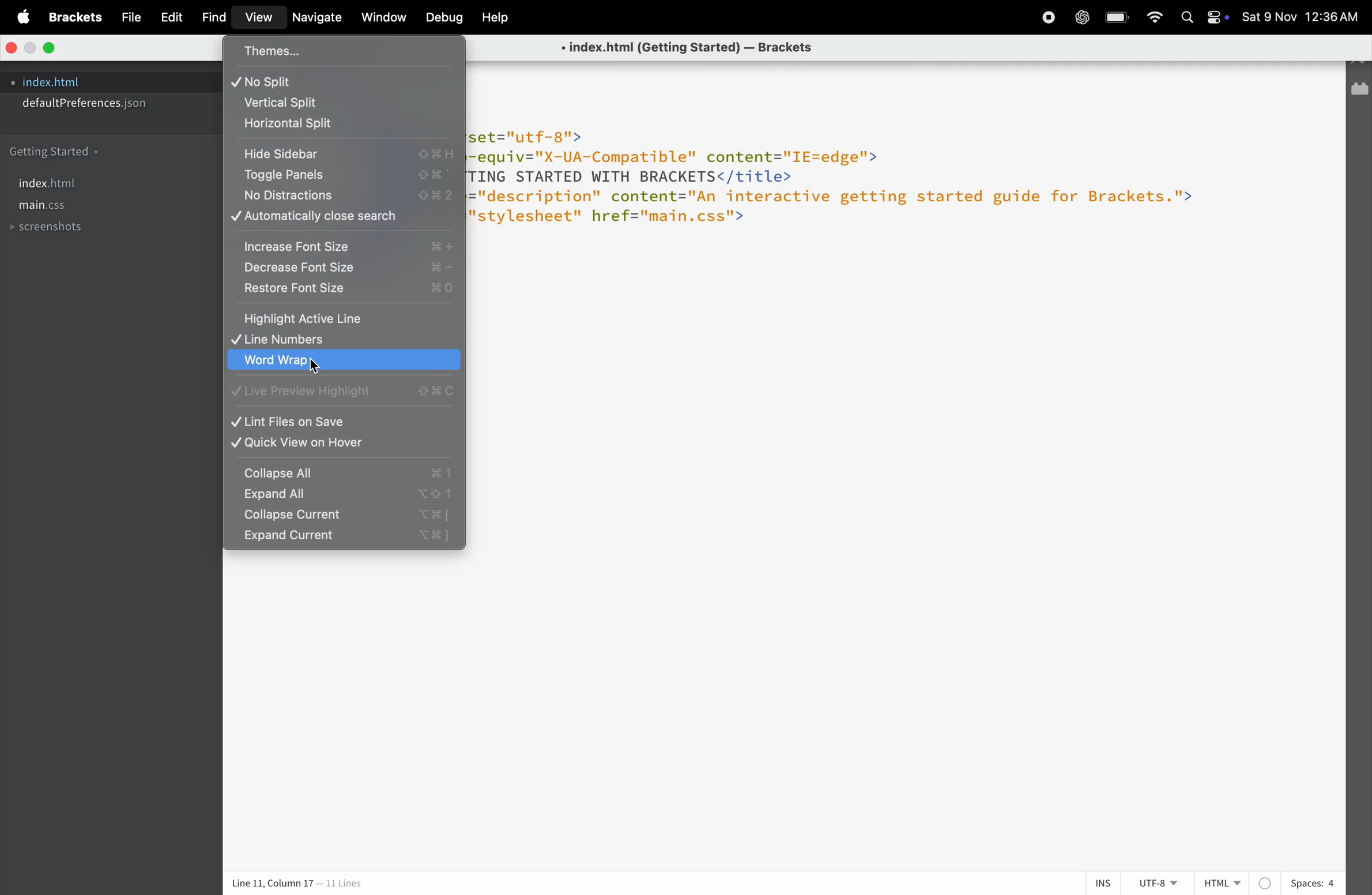 The width and height of the screenshot is (1372, 895). Describe the element at coordinates (386, 18) in the screenshot. I see `window` at that location.